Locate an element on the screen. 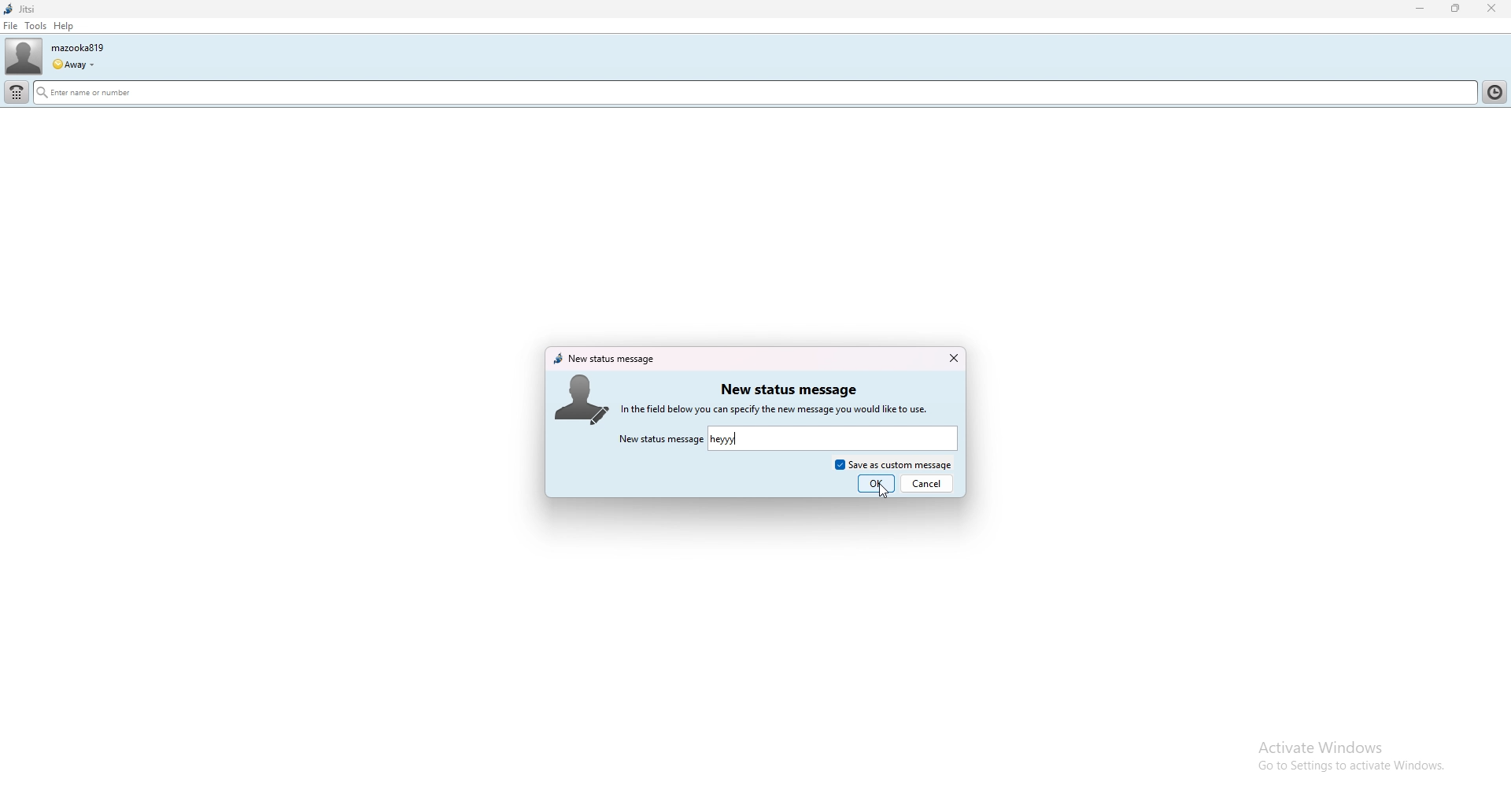  contact list is located at coordinates (1498, 90).